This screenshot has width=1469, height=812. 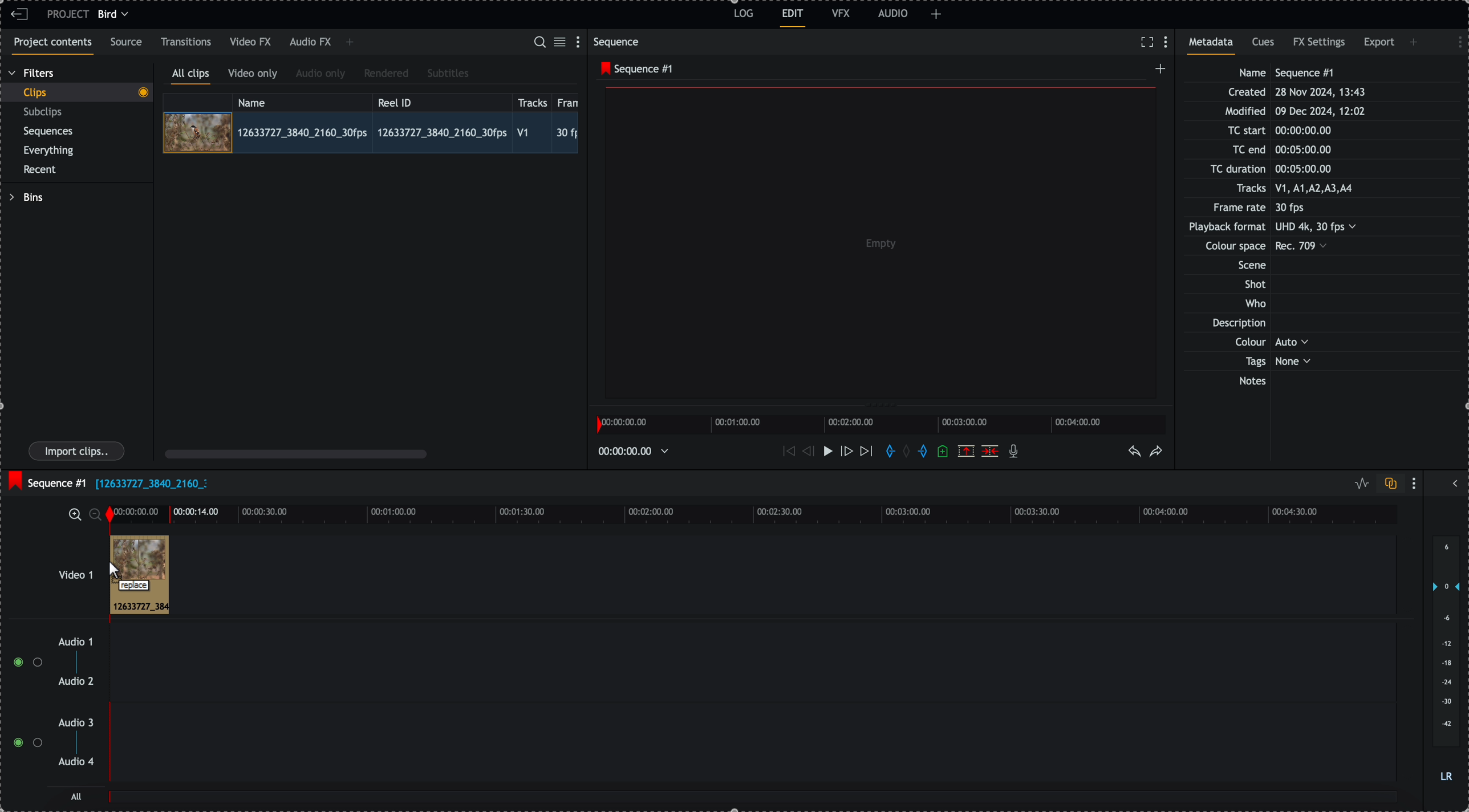 I want to click on audio FX, so click(x=310, y=43).